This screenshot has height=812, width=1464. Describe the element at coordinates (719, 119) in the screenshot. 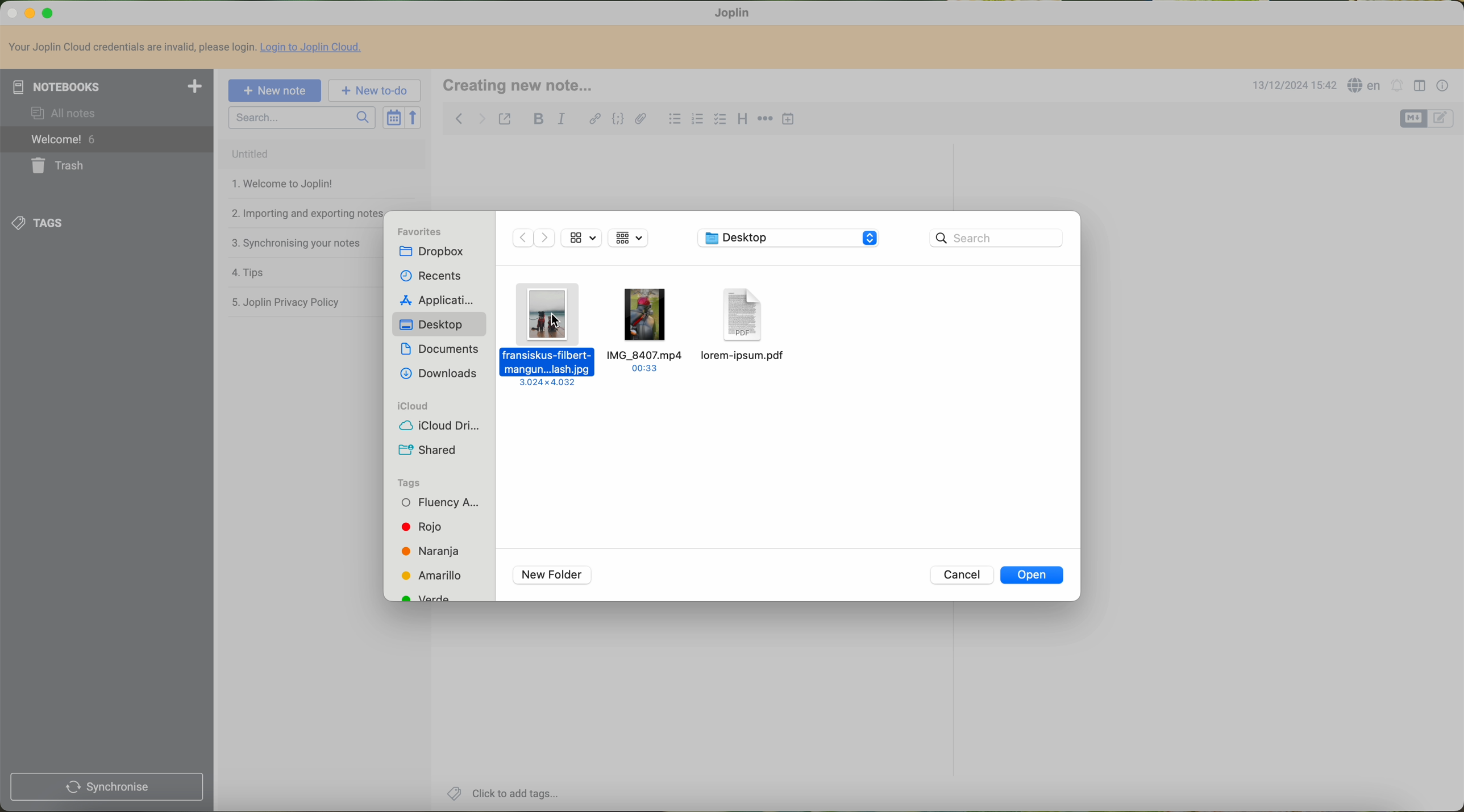

I see `checkbox` at that location.